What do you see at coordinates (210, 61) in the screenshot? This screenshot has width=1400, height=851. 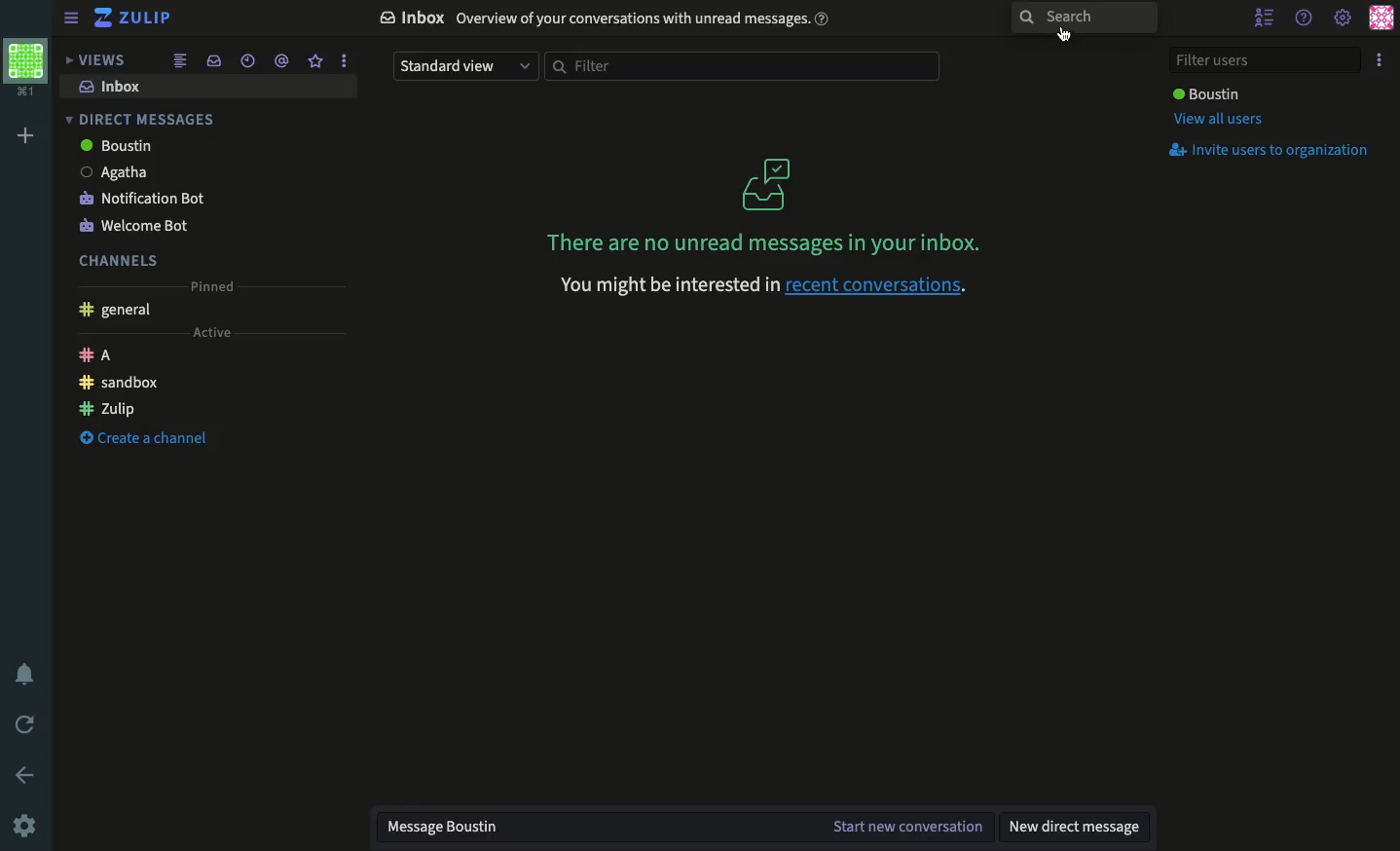 I see `Inbox` at bounding box center [210, 61].